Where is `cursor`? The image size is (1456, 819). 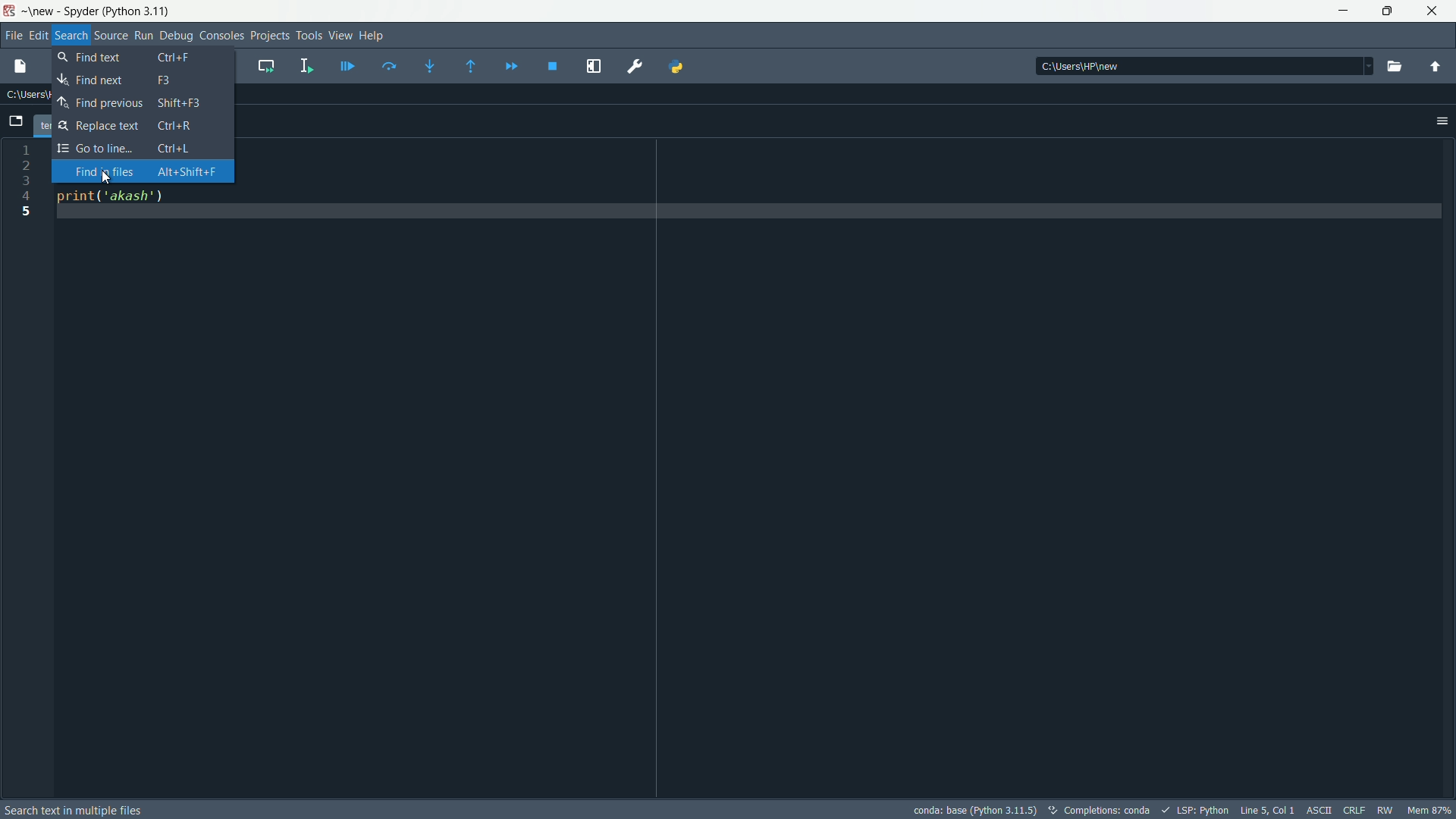 cursor is located at coordinates (107, 177).